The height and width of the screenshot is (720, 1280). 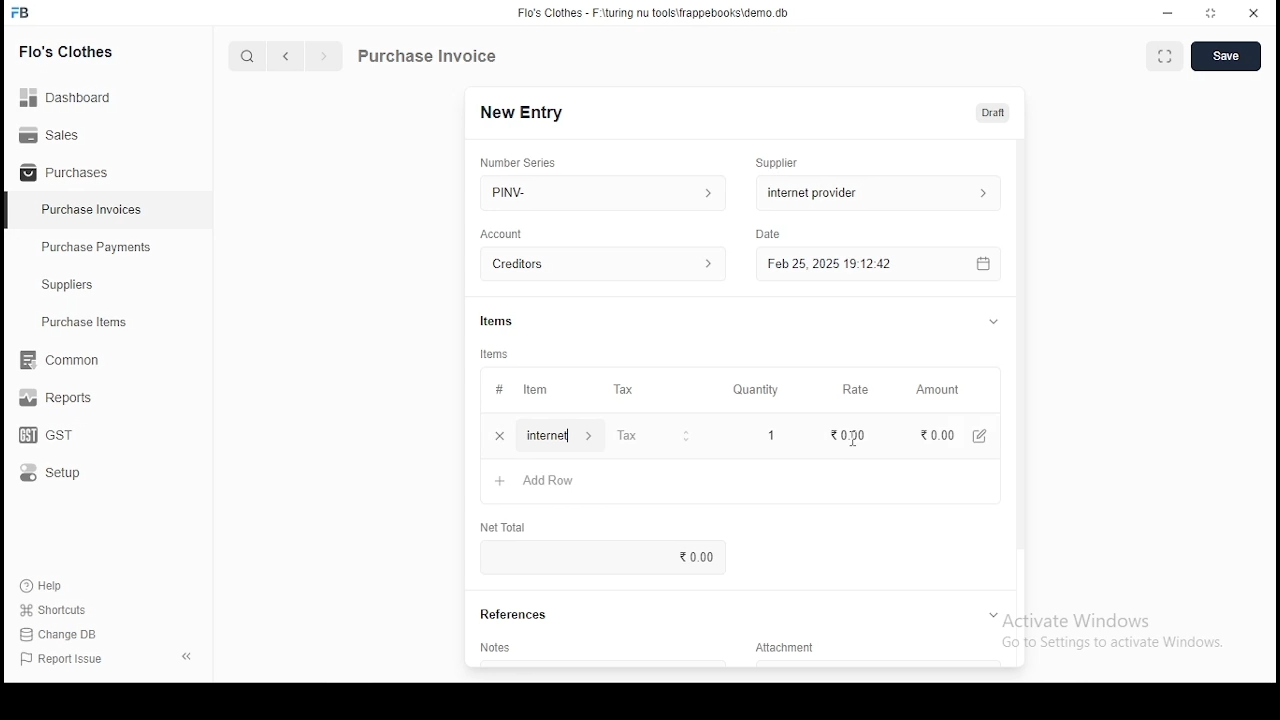 What do you see at coordinates (499, 437) in the screenshot?
I see `+` at bounding box center [499, 437].